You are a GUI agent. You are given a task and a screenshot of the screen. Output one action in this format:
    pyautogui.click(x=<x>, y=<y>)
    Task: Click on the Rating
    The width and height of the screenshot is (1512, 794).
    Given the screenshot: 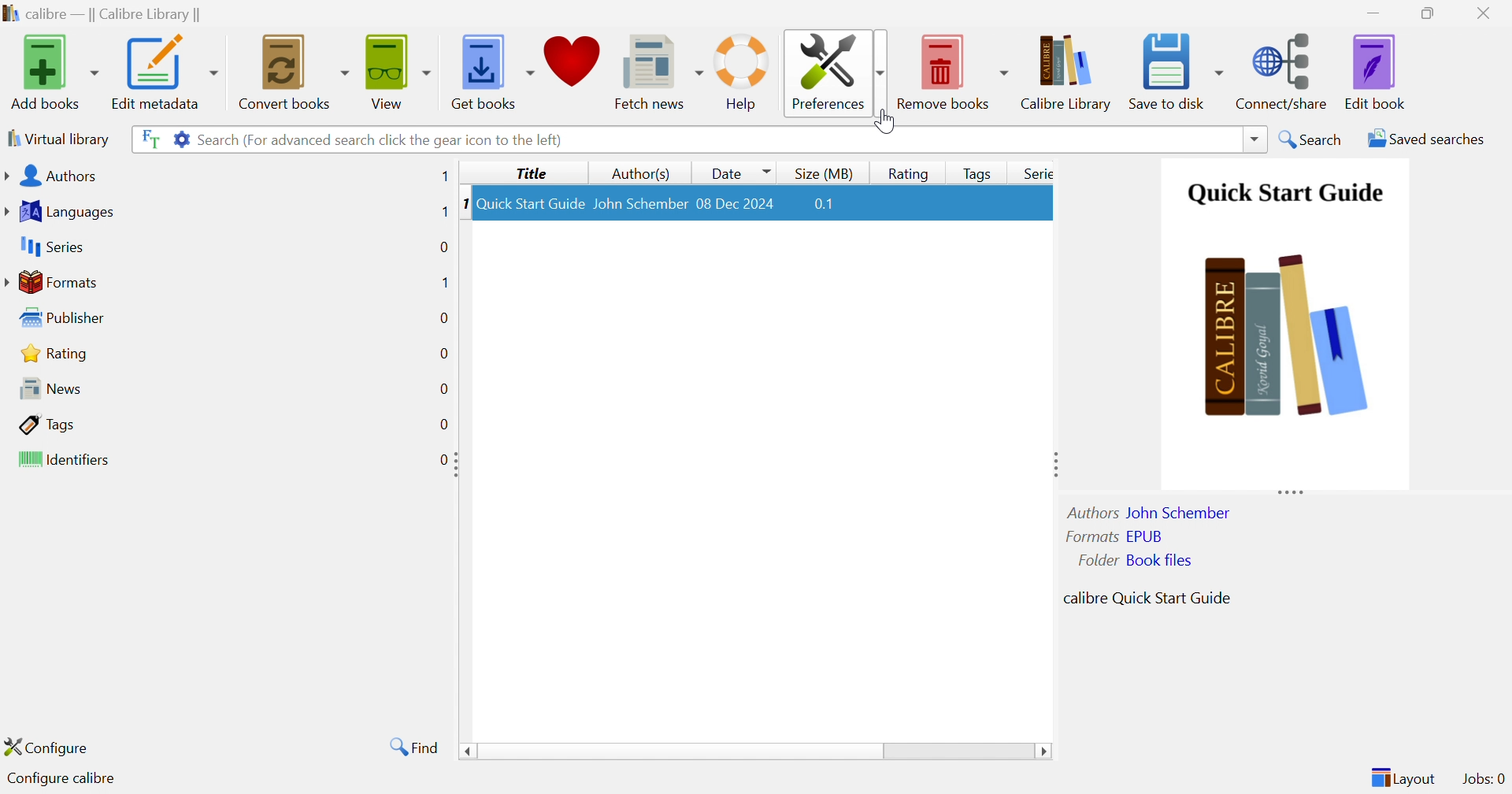 What is the action you would take?
    pyautogui.click(x=906, y=173)
    